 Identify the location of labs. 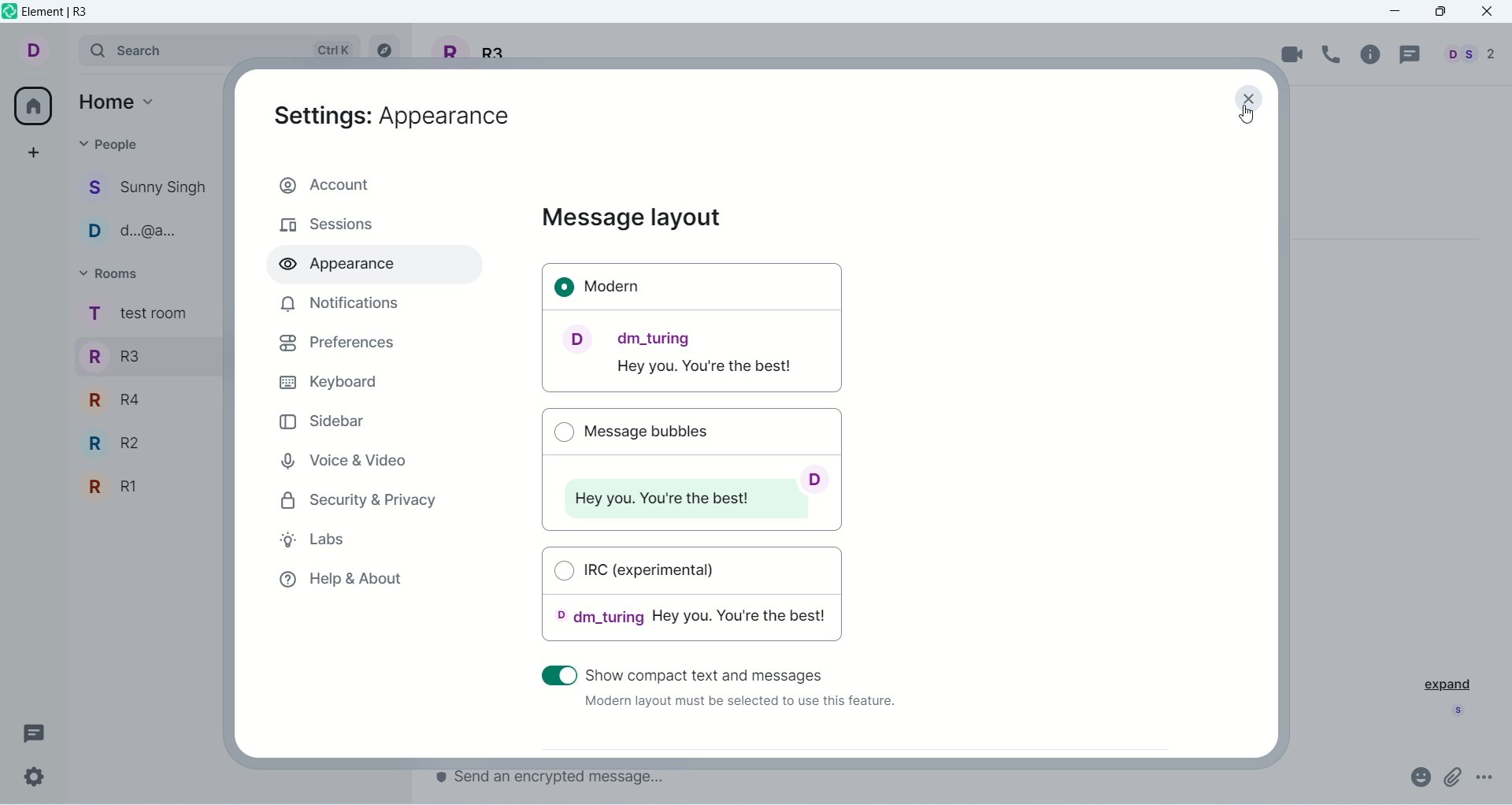
(321, 542).